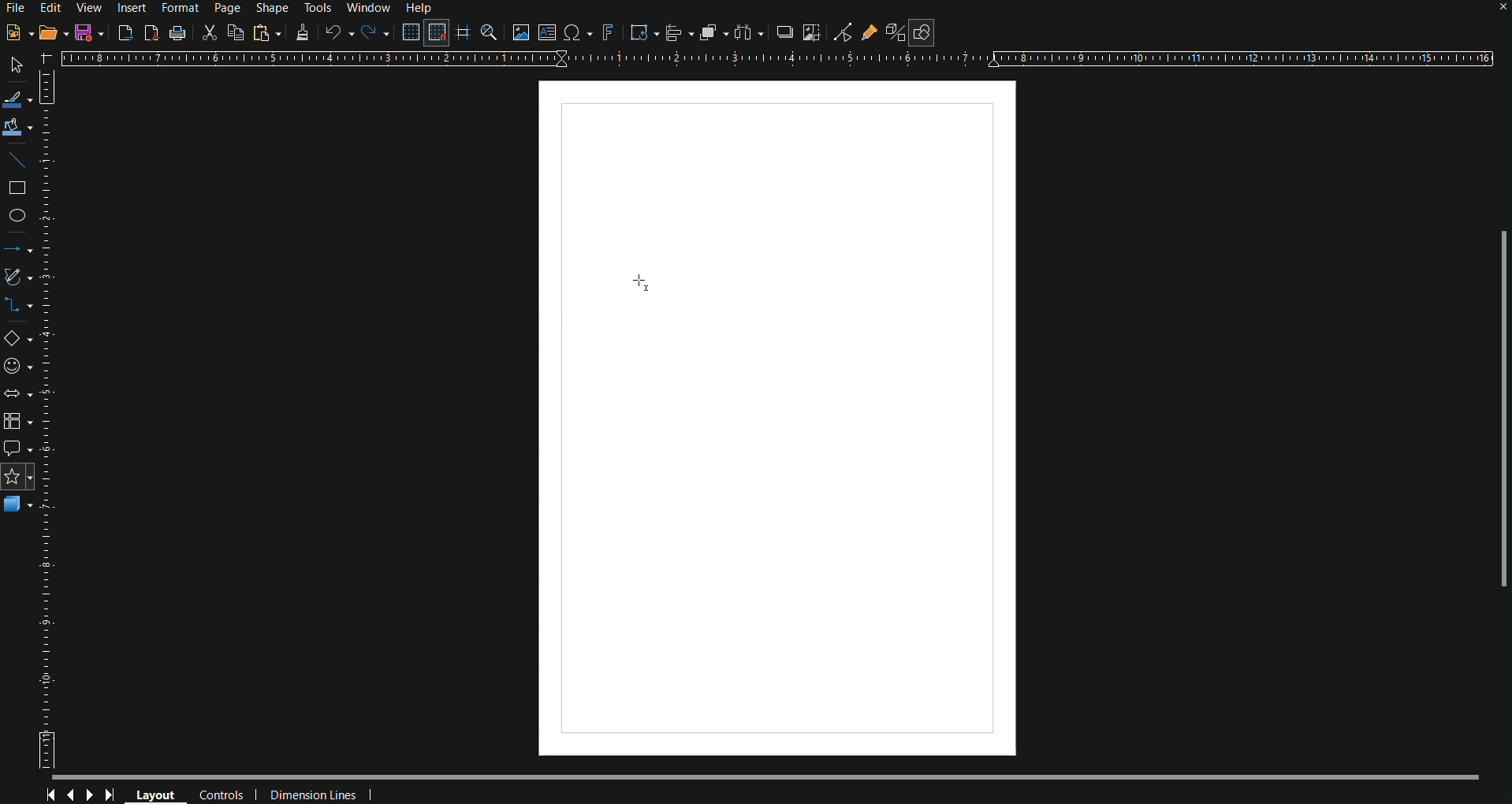  I want to click on File, so click(18, 7).